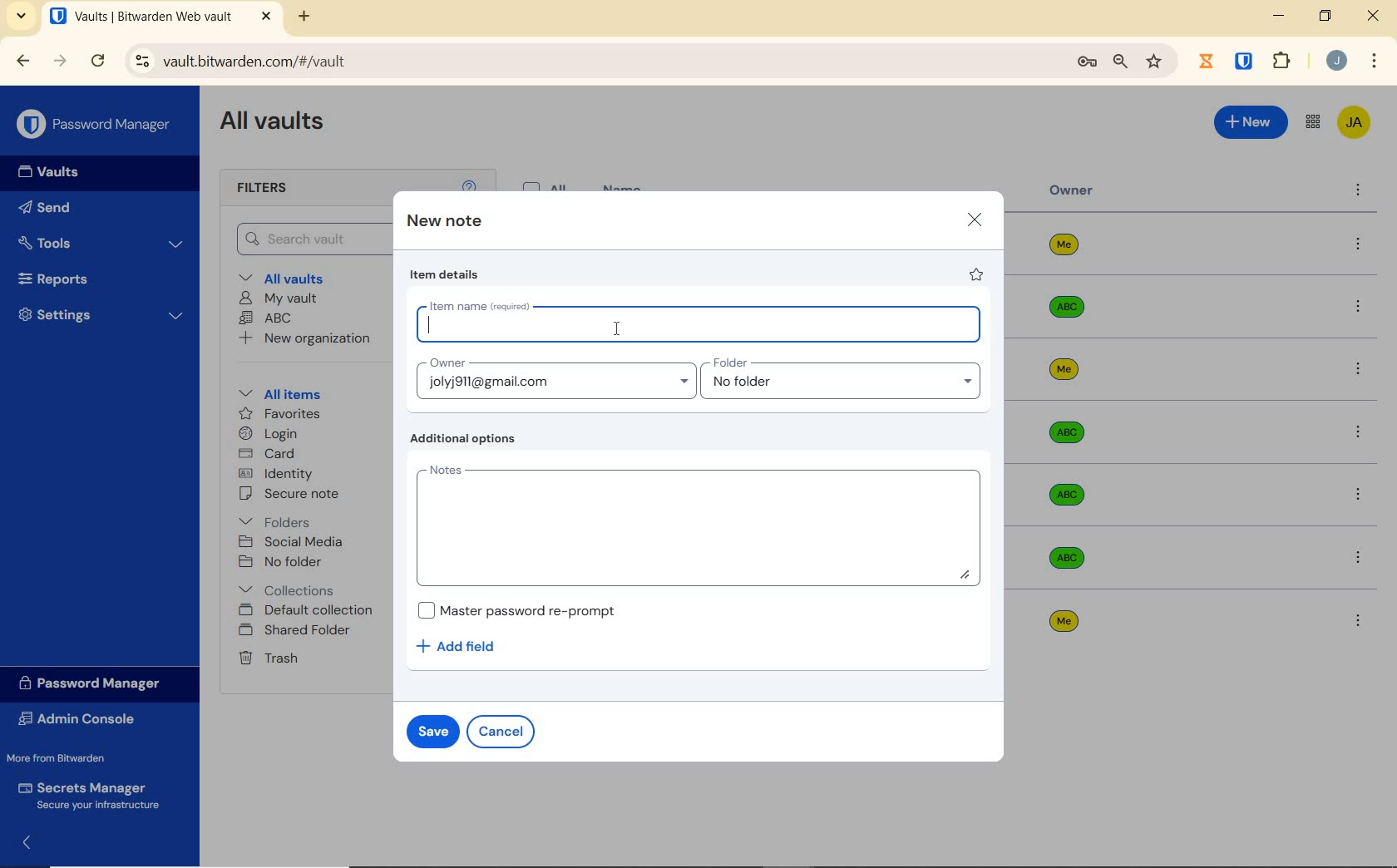 Image resolution: width=1397 pixels, height=868 pixels. Describe the element at coordinates (99, 62) in the screenshot. I see `RELOAD` at that location.